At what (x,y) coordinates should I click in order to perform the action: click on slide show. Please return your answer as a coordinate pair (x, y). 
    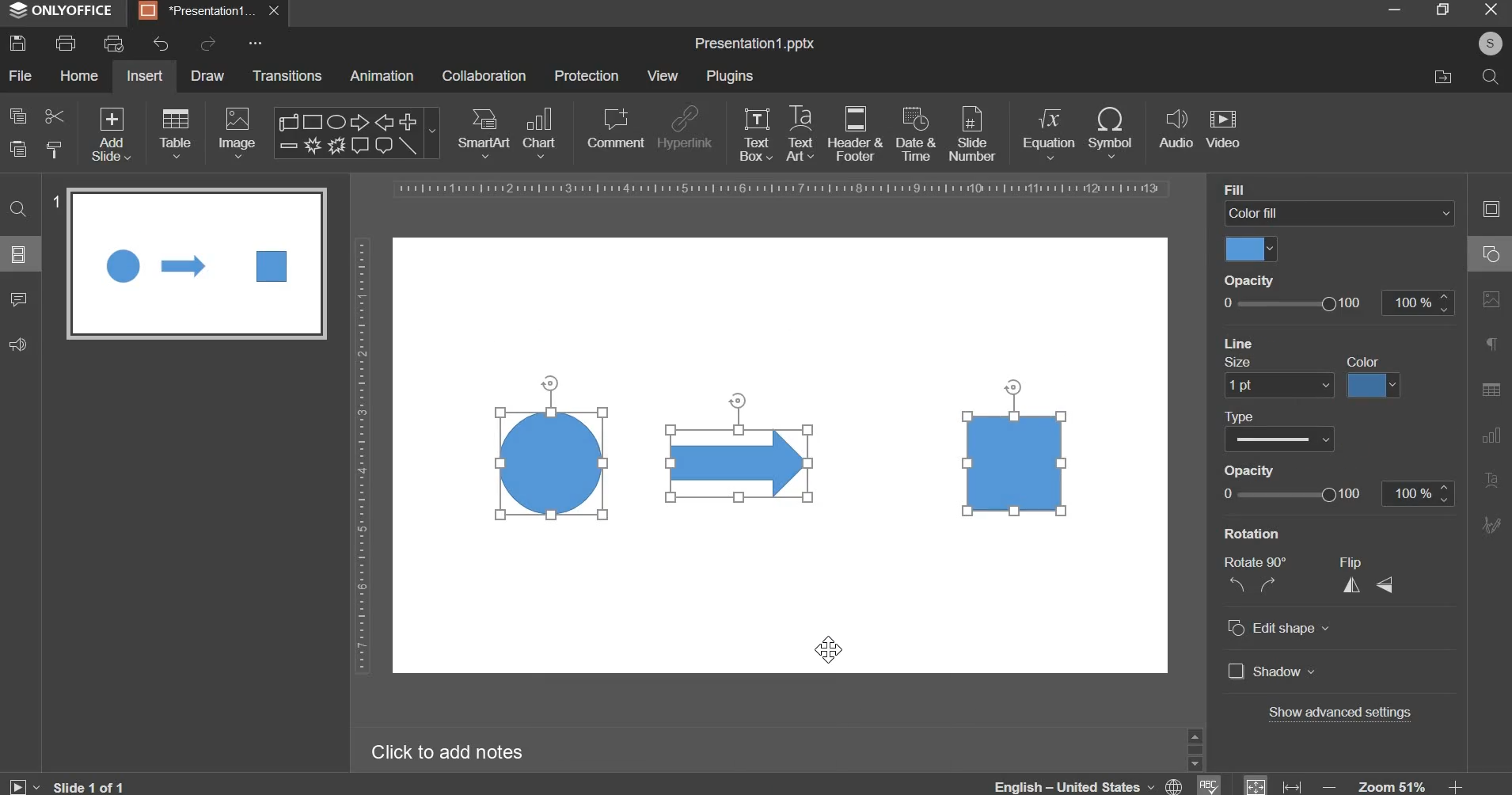
    Looking at the image, I should click on (23, 785).